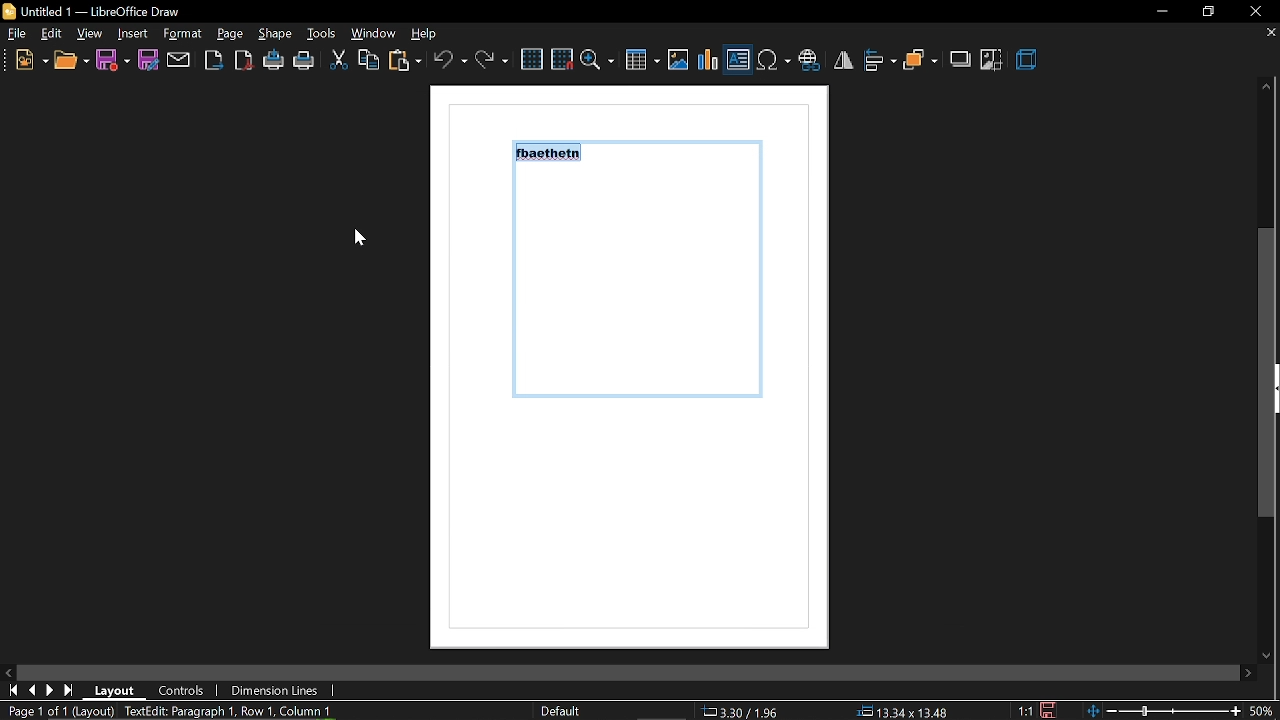 Image resolution: width=1280 pixels, height=720 pixels. I want to click on Default style, so click(564, 712).